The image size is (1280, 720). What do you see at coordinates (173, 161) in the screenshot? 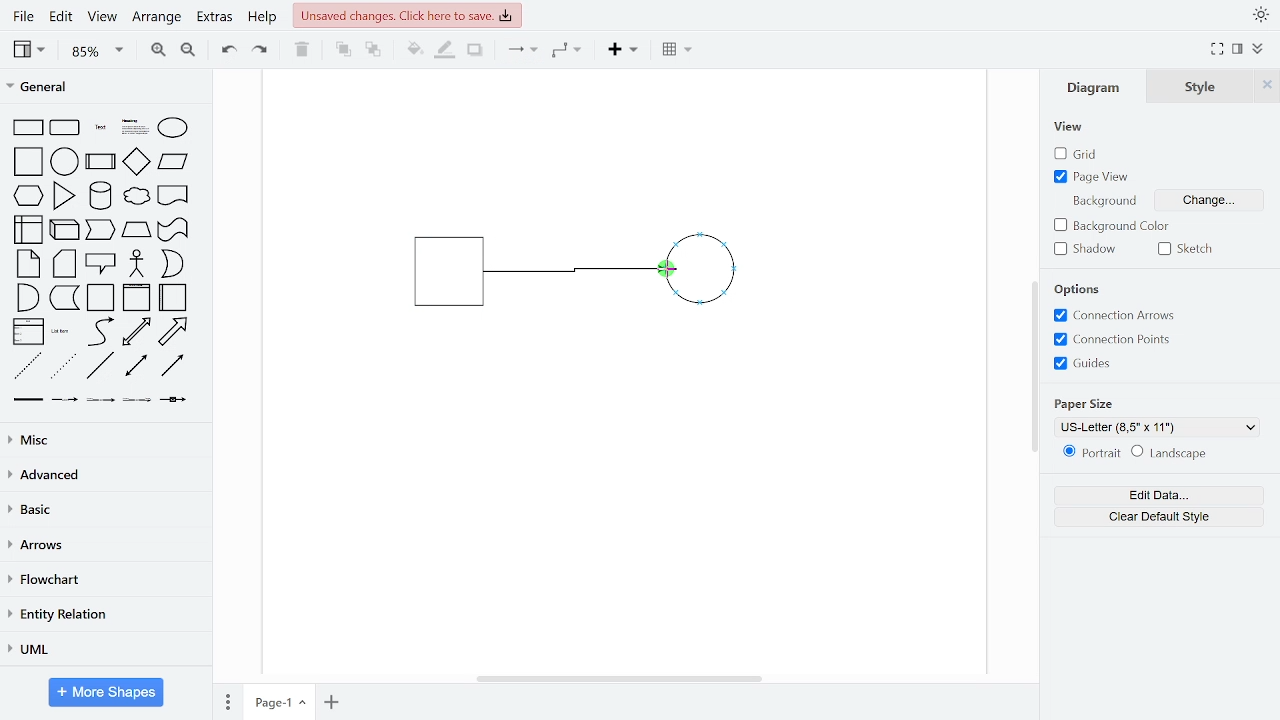
I see `paralellogram` at bounding box center [173, 161].